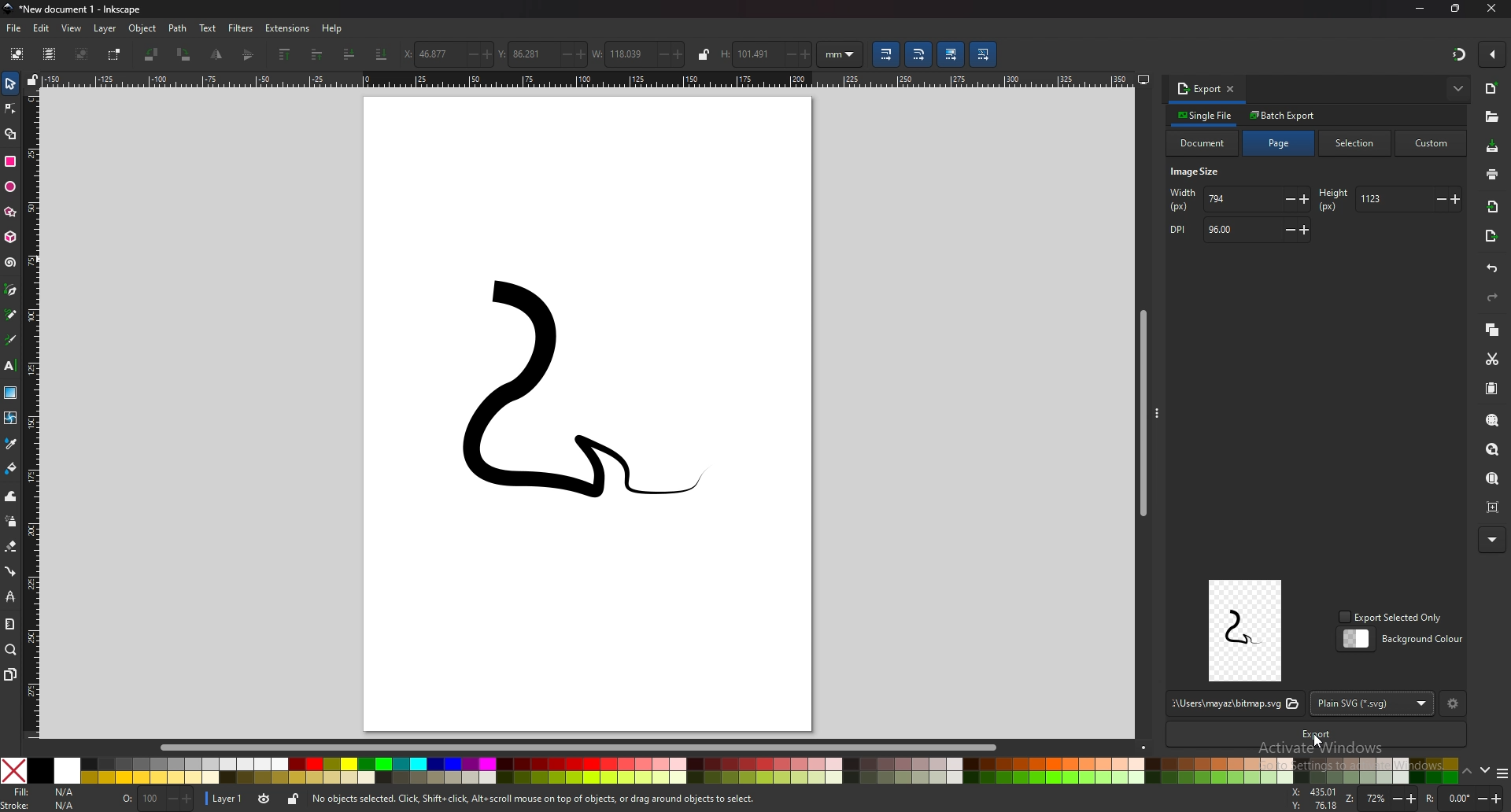 The width and height of the screenshot is (1511, 812). Describe the element at coordinates (542, 54) in the screenshot. I see `y coordinates` at that location.